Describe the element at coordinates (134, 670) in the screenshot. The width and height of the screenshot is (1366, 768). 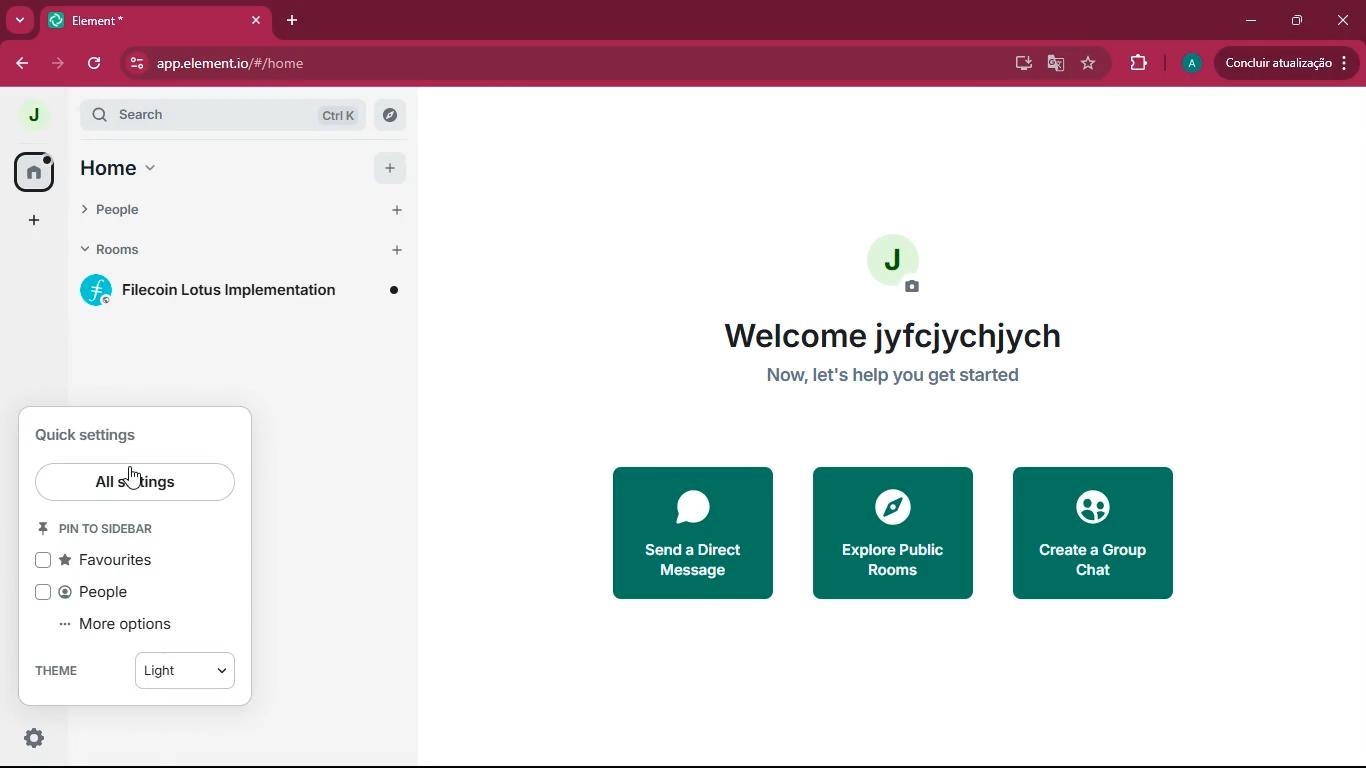
I see `theme` at that location.